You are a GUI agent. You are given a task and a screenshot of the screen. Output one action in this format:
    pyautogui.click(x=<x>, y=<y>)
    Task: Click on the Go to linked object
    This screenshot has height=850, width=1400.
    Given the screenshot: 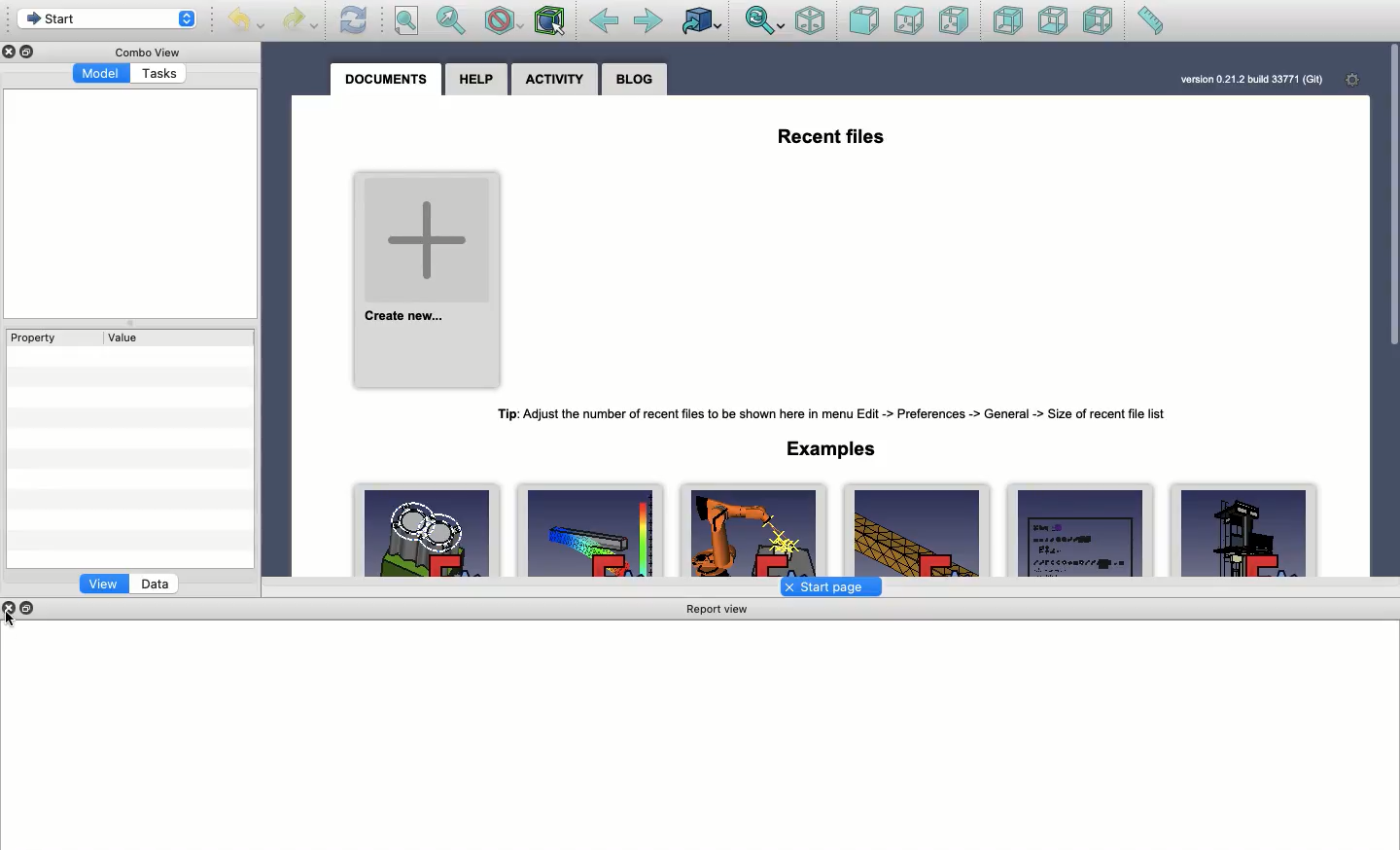 What is the action you would take?
    pyautogui.click(x=700, y=23)
    